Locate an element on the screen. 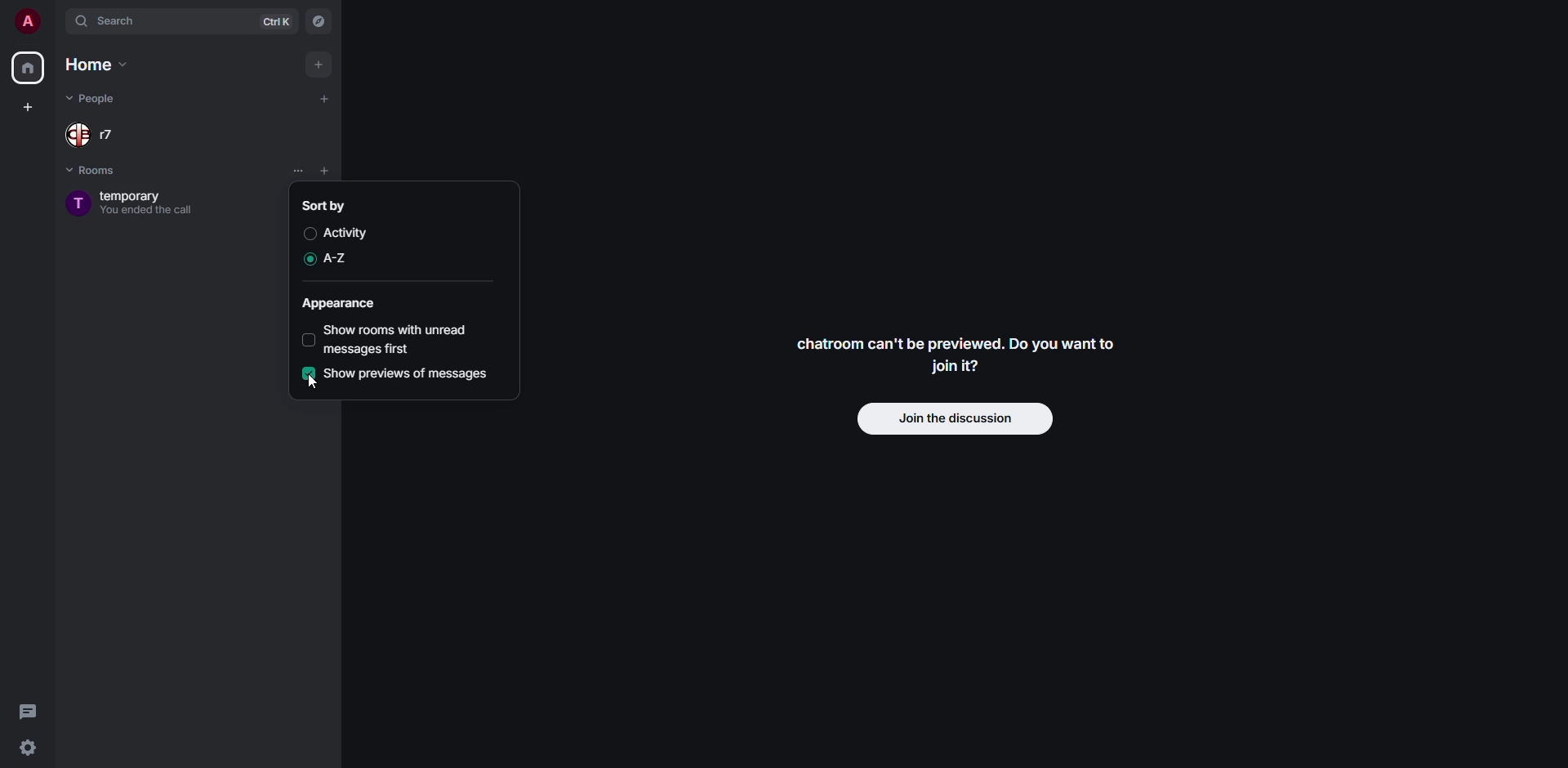 The height and width of the screenshot is (768, 1568). quick settings is located at coordinates (28, 748).